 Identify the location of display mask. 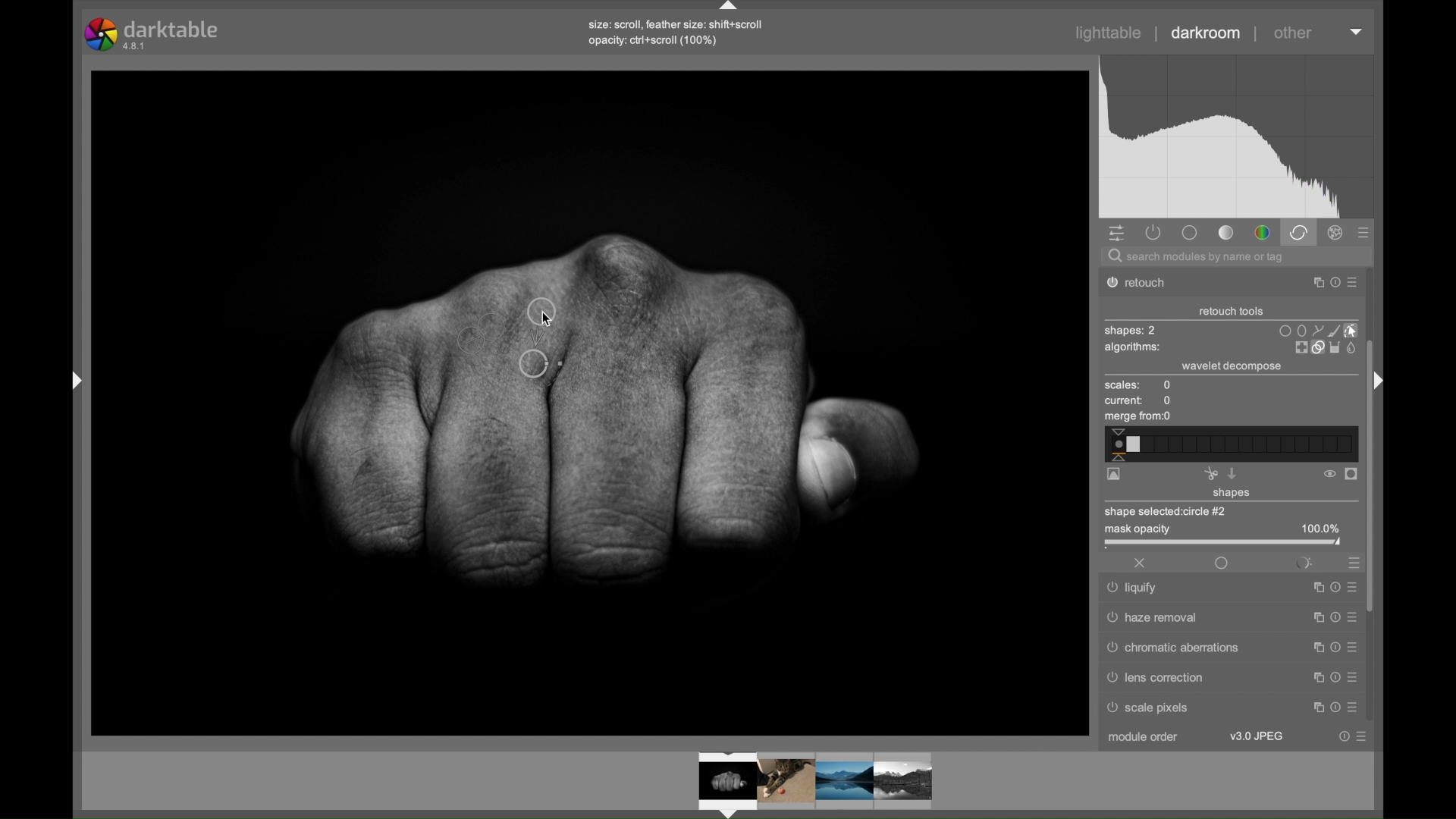
(1352, 475).